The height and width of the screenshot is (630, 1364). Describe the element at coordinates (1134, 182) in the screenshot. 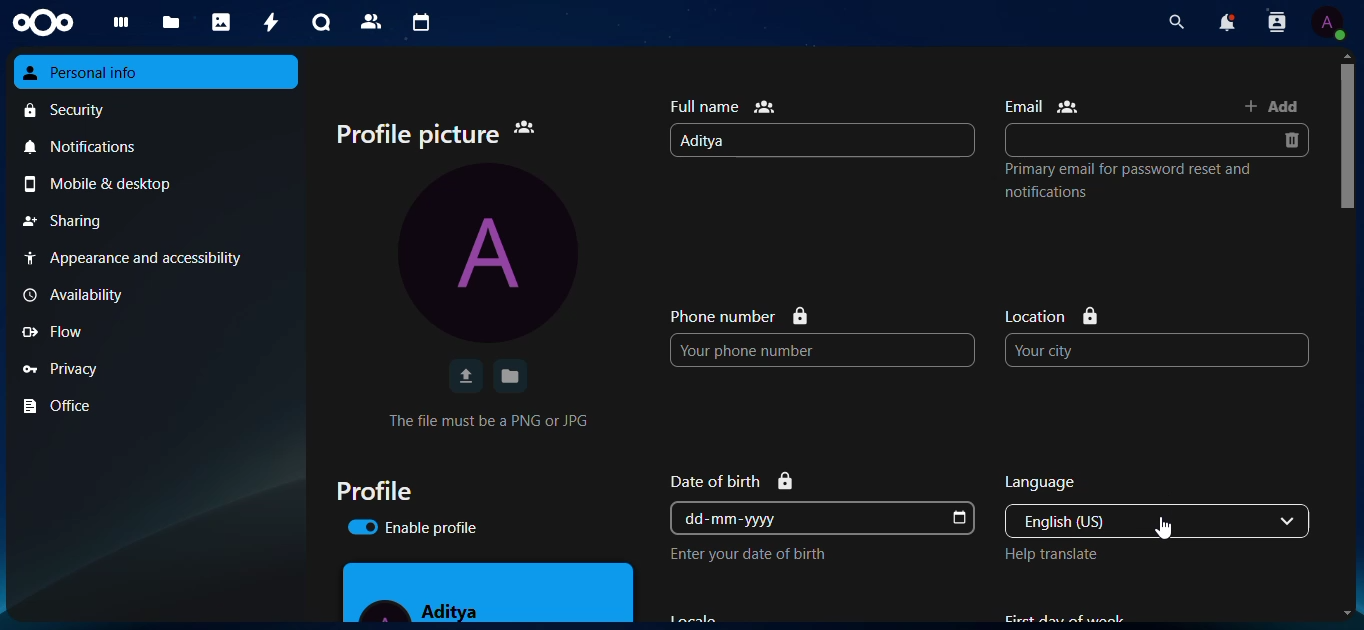

I see `primary email for password reset and notifications.` at that location.